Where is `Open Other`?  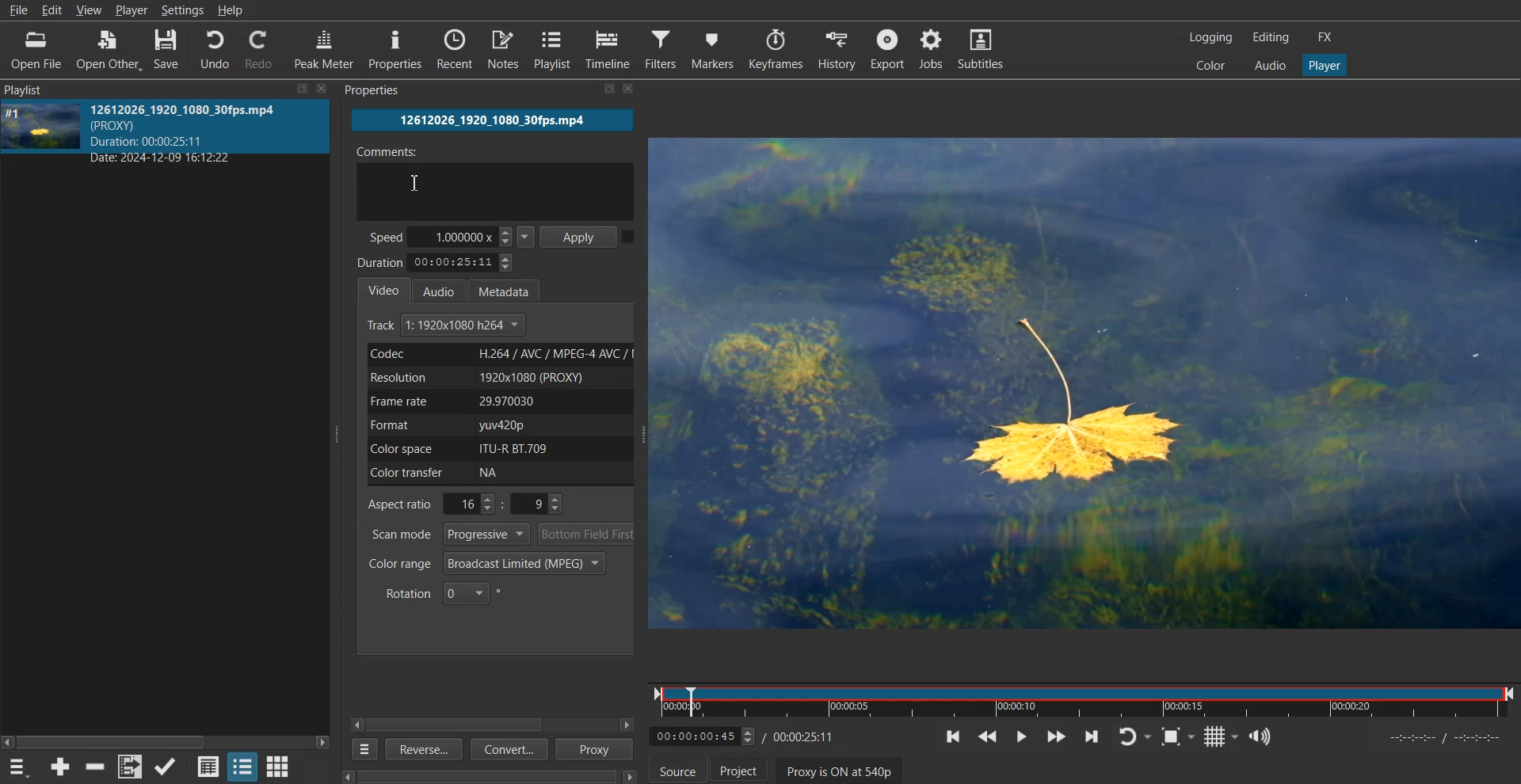 Open Other is located at coordinates (107, 49).